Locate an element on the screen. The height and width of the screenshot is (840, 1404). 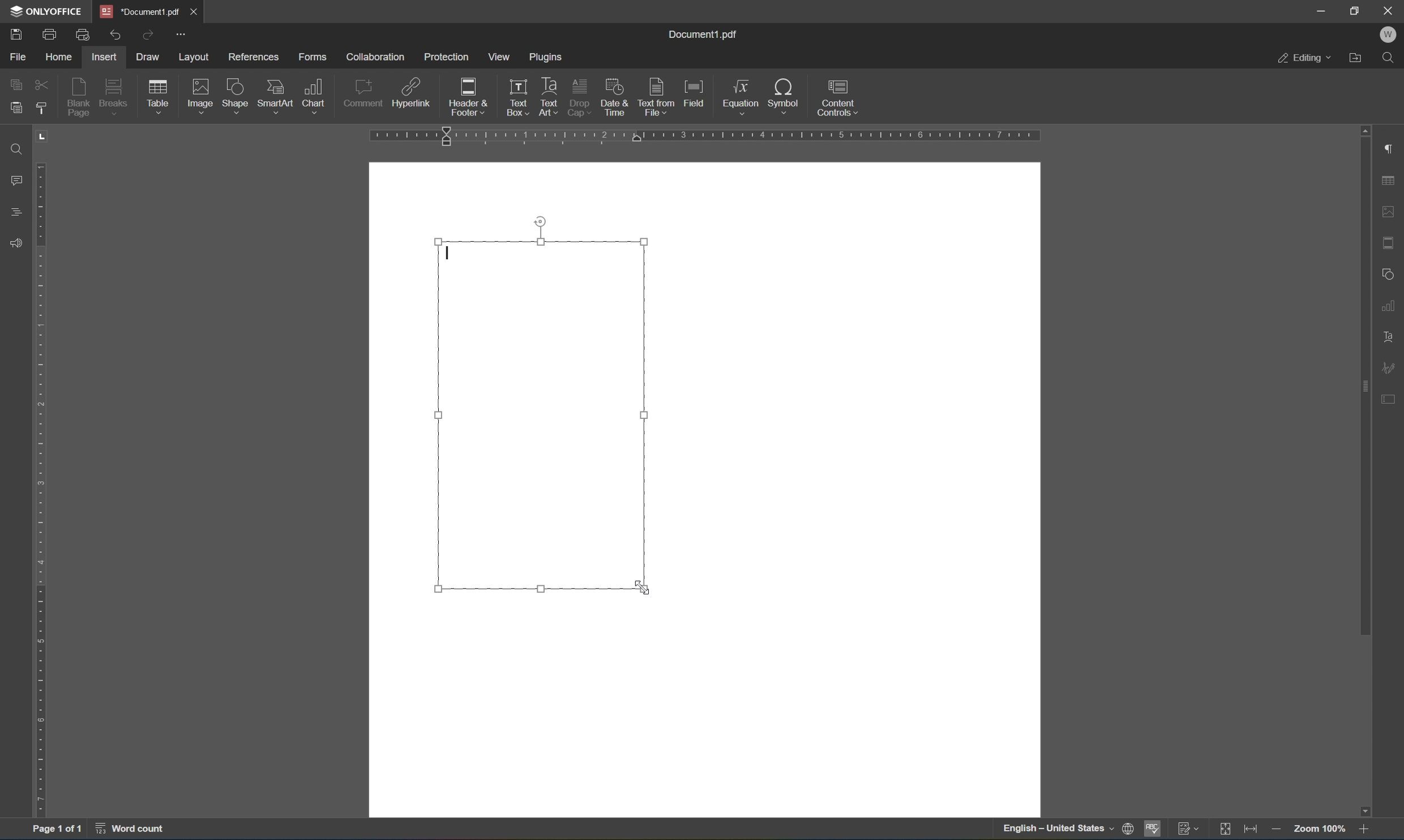
collaboration is located at coordinates (377, 57).